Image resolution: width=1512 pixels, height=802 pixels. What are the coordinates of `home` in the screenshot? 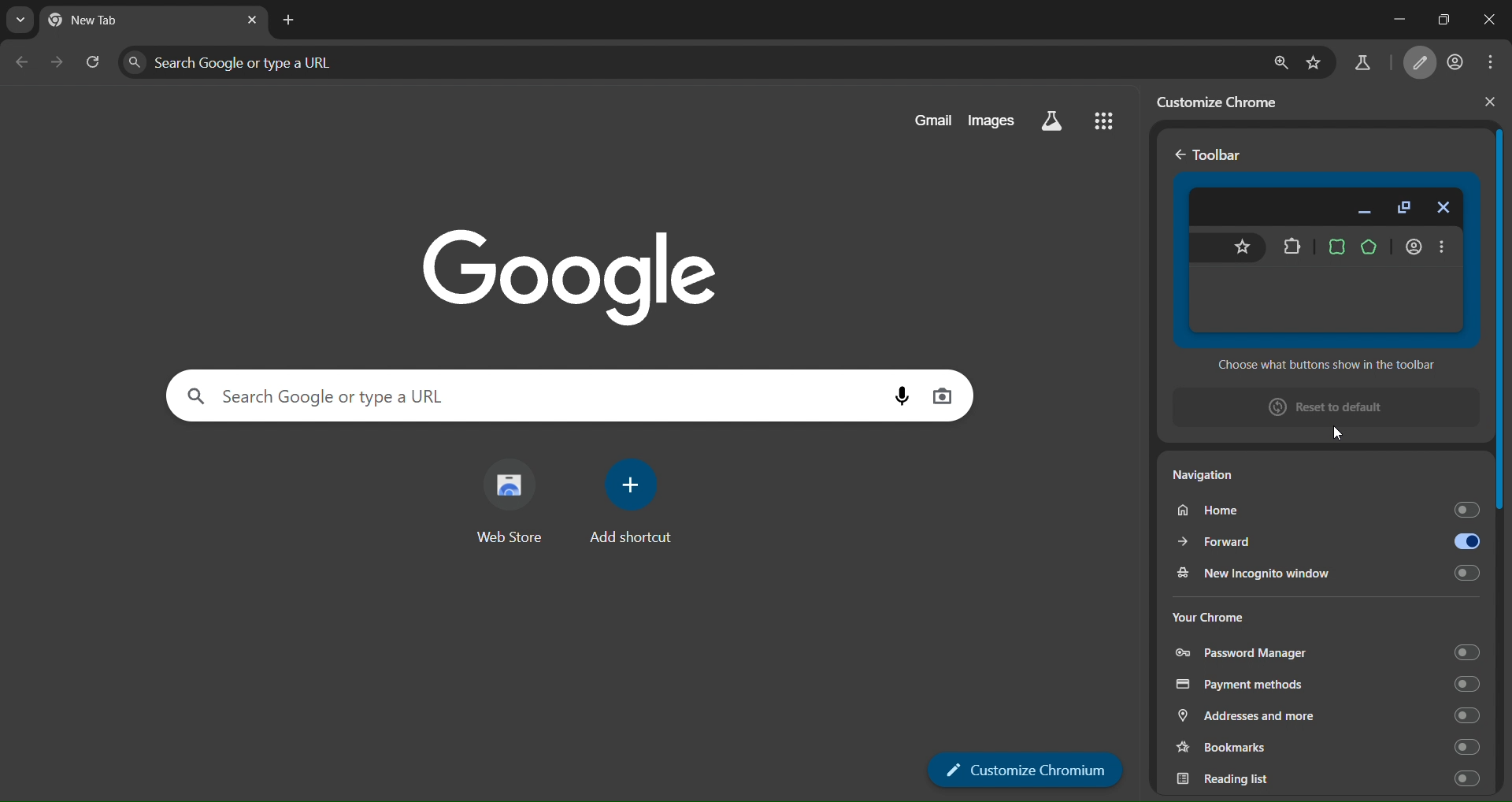 It's located at (1320, 511).